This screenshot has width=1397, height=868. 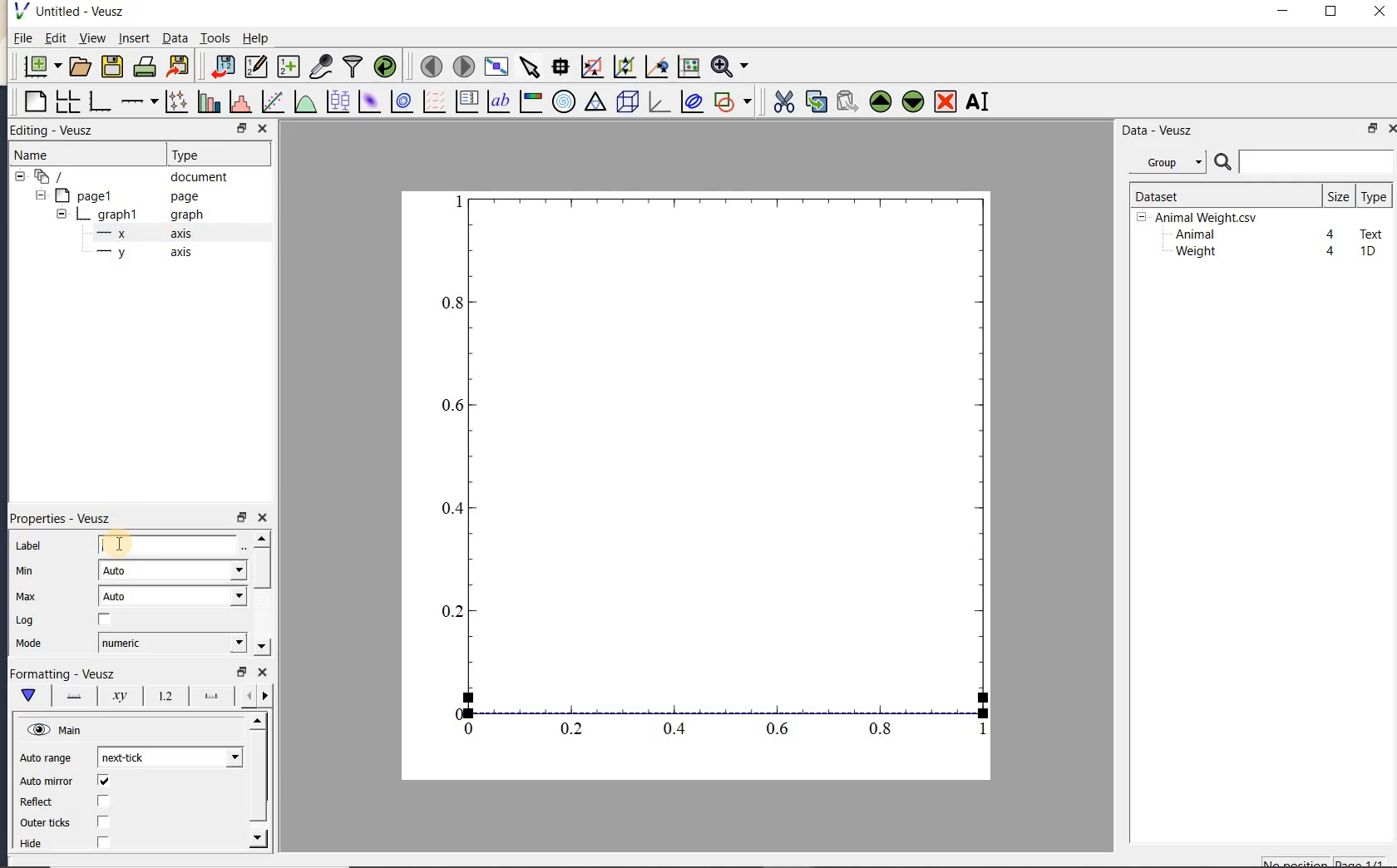 What do you see at coordinates (111, 67) in the screenshot?
I see `save the document` at bounding box center [111, 67].